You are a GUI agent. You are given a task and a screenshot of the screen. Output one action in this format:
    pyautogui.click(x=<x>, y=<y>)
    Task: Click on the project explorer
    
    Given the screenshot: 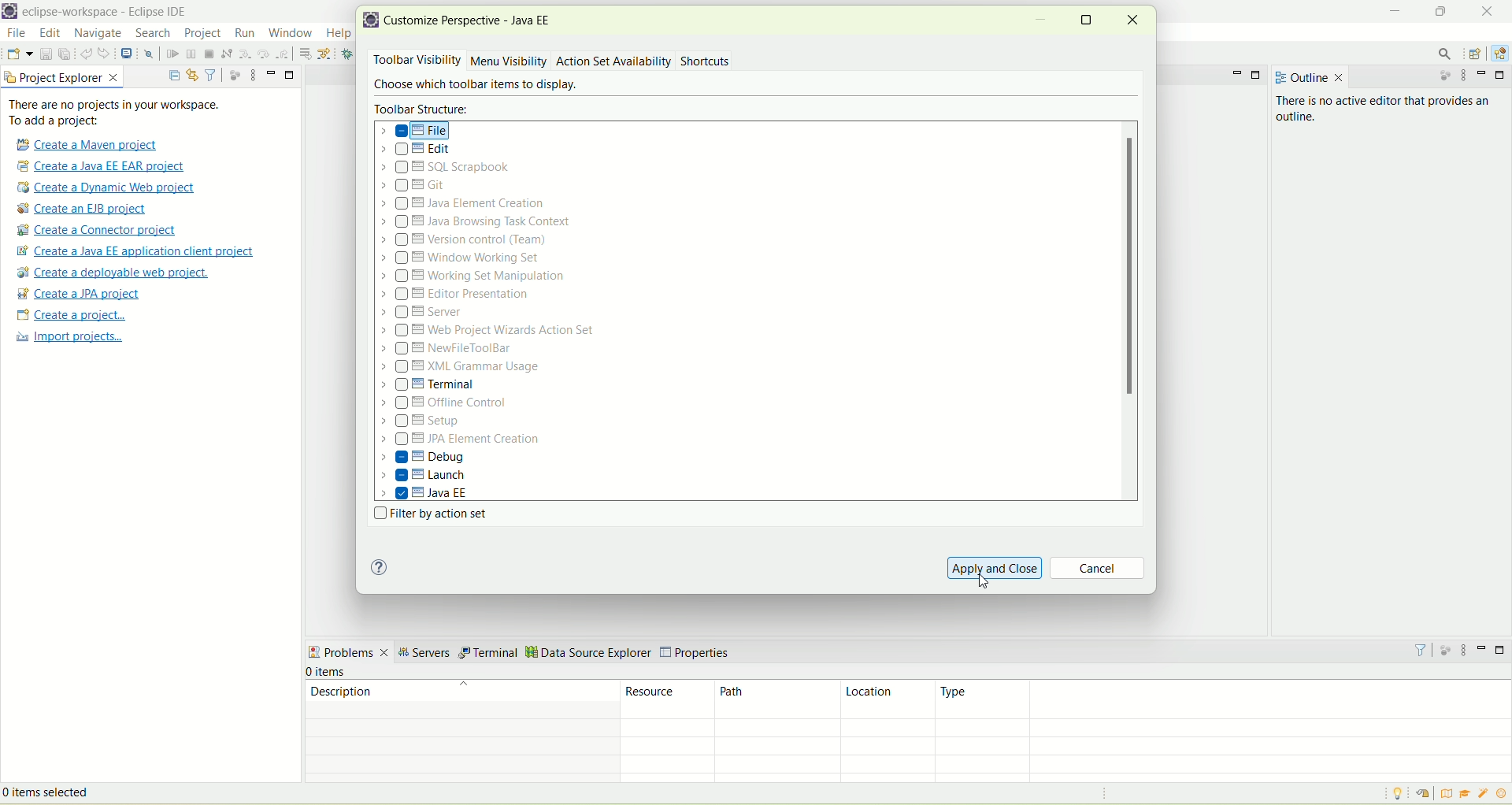 What is the action you would take?
    pyautogui.click(x=62, y=77)
    